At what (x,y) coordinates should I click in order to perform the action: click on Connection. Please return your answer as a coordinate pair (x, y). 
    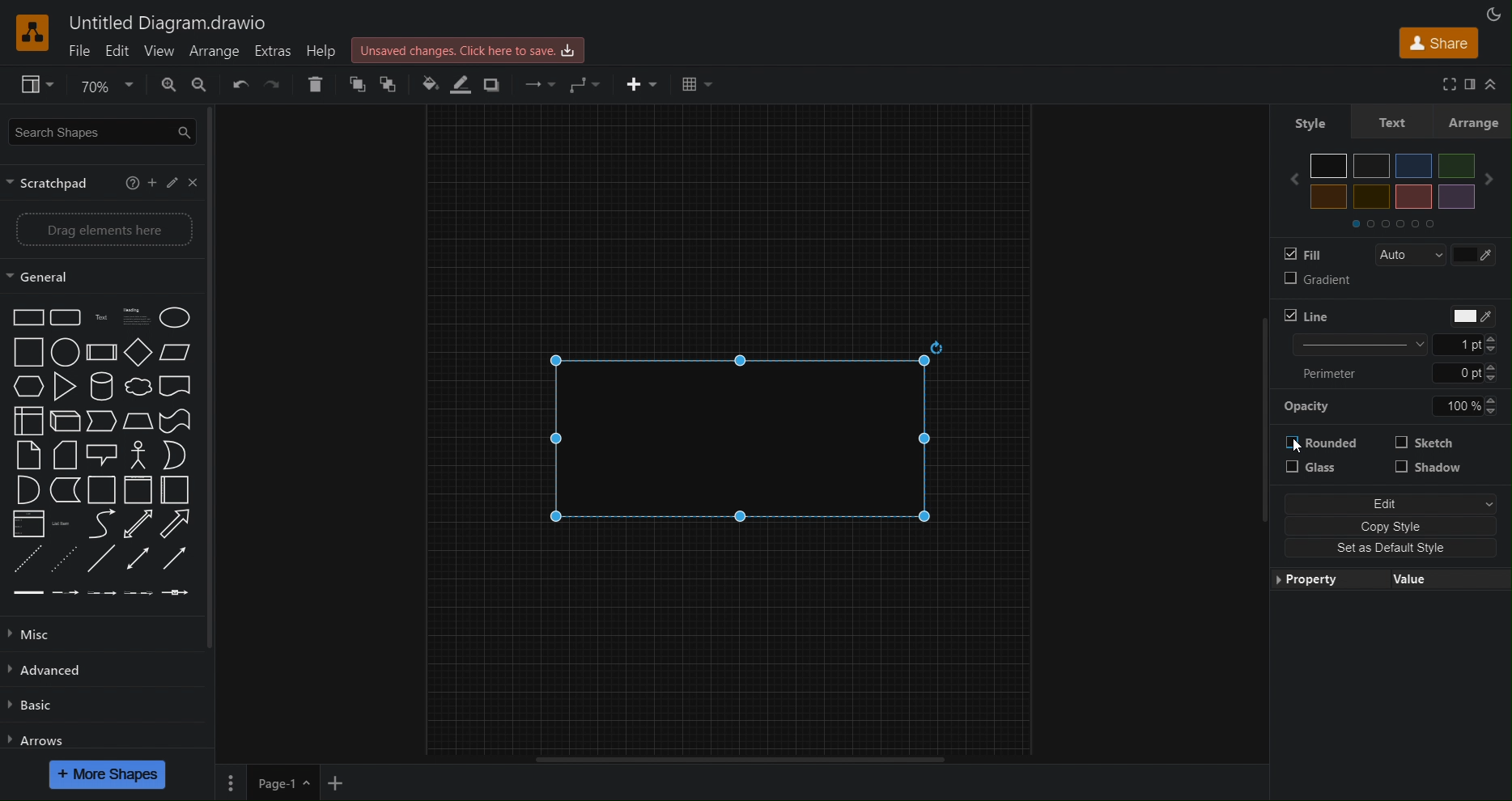
    Looking at the image, I should click on (535, 83).